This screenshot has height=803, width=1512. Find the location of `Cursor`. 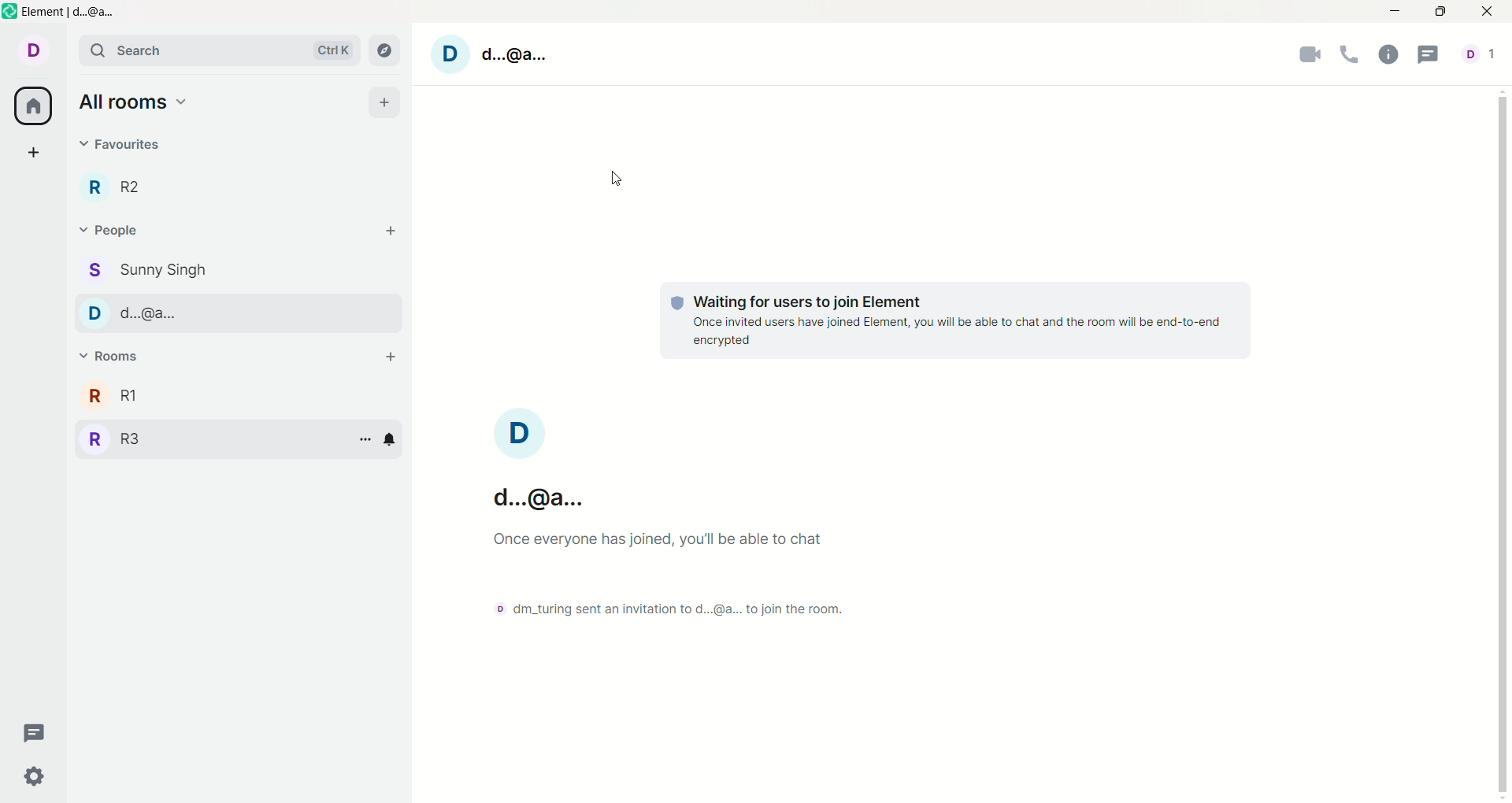

Cursor is located at coordinates (617, 179).